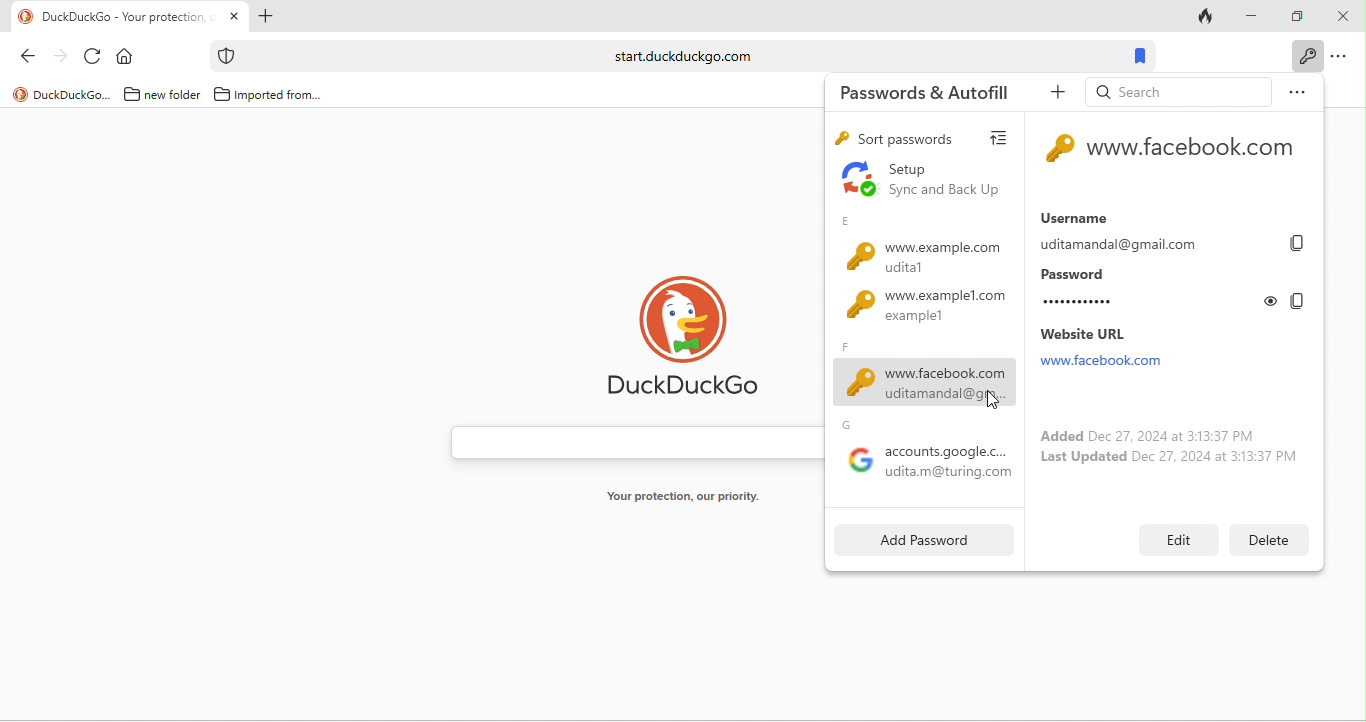 Image resolution: width=1366 pixels, height=722 pixels. What do you see at coordinates (1299, 14) in the screenshot?
I see `maximize` at bounding box center [1299, 14].